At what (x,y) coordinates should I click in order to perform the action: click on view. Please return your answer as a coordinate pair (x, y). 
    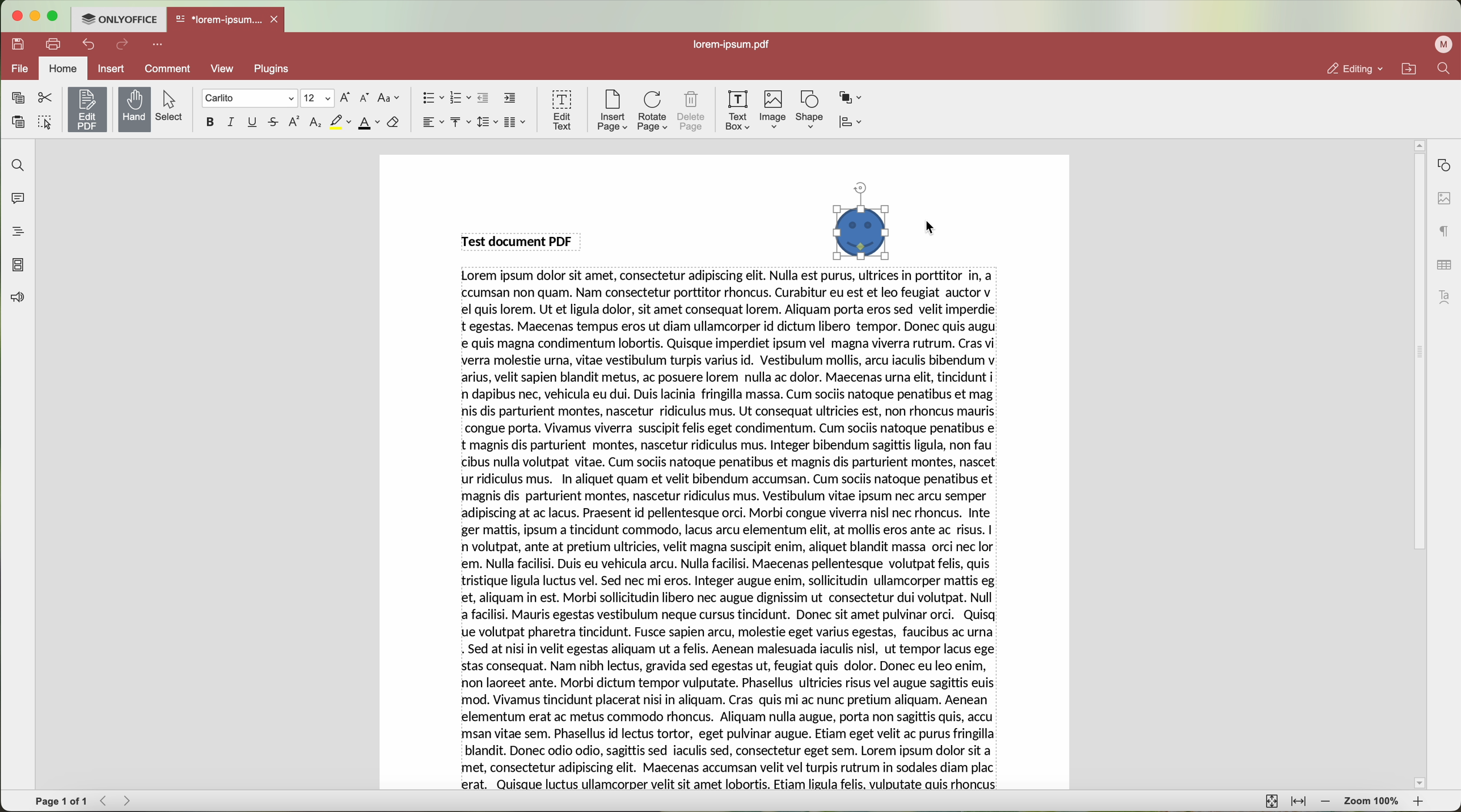
    Looking at the image, I should click on (222, 67).